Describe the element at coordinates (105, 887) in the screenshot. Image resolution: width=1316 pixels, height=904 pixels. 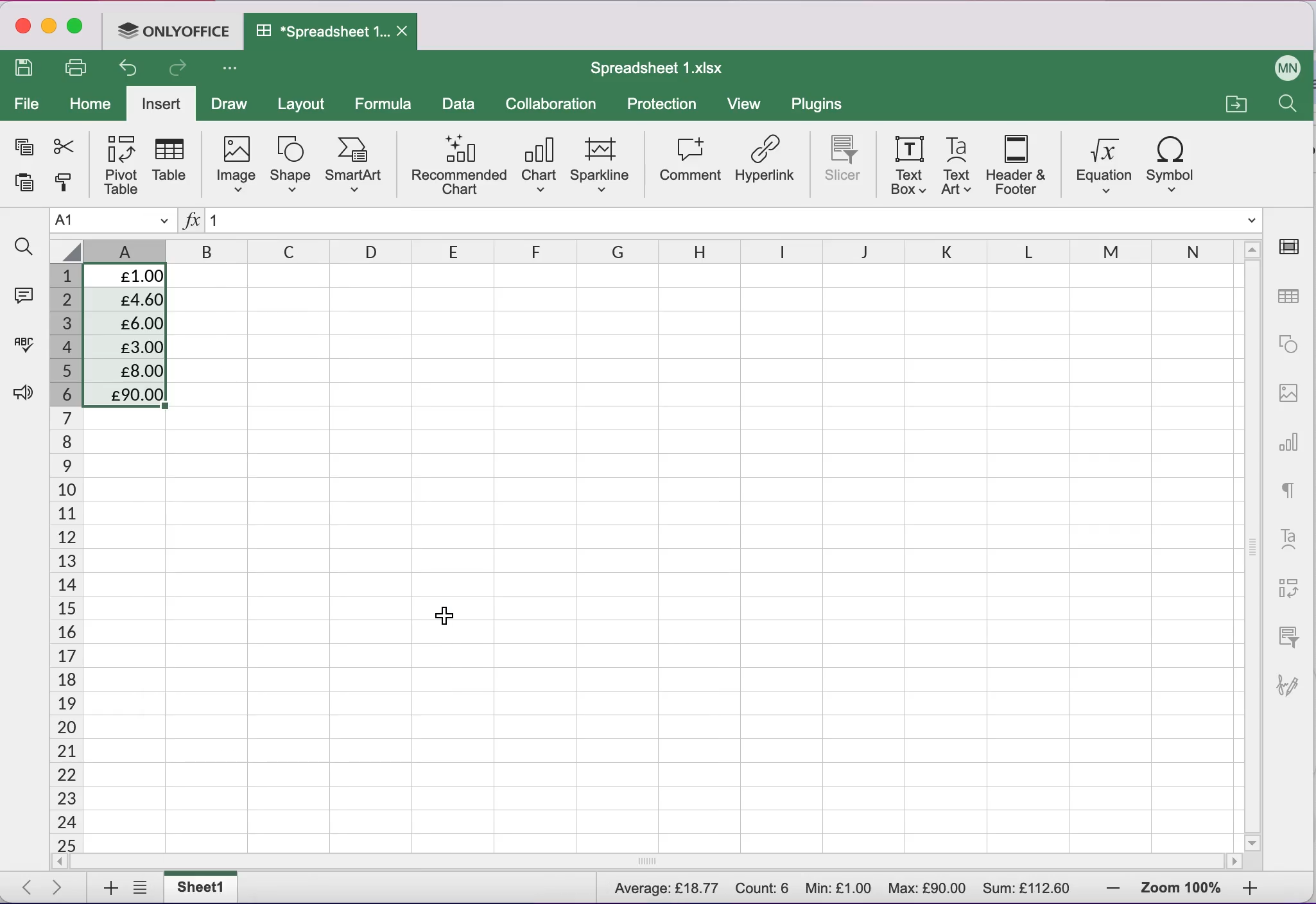
I see `add sheets` at that location.